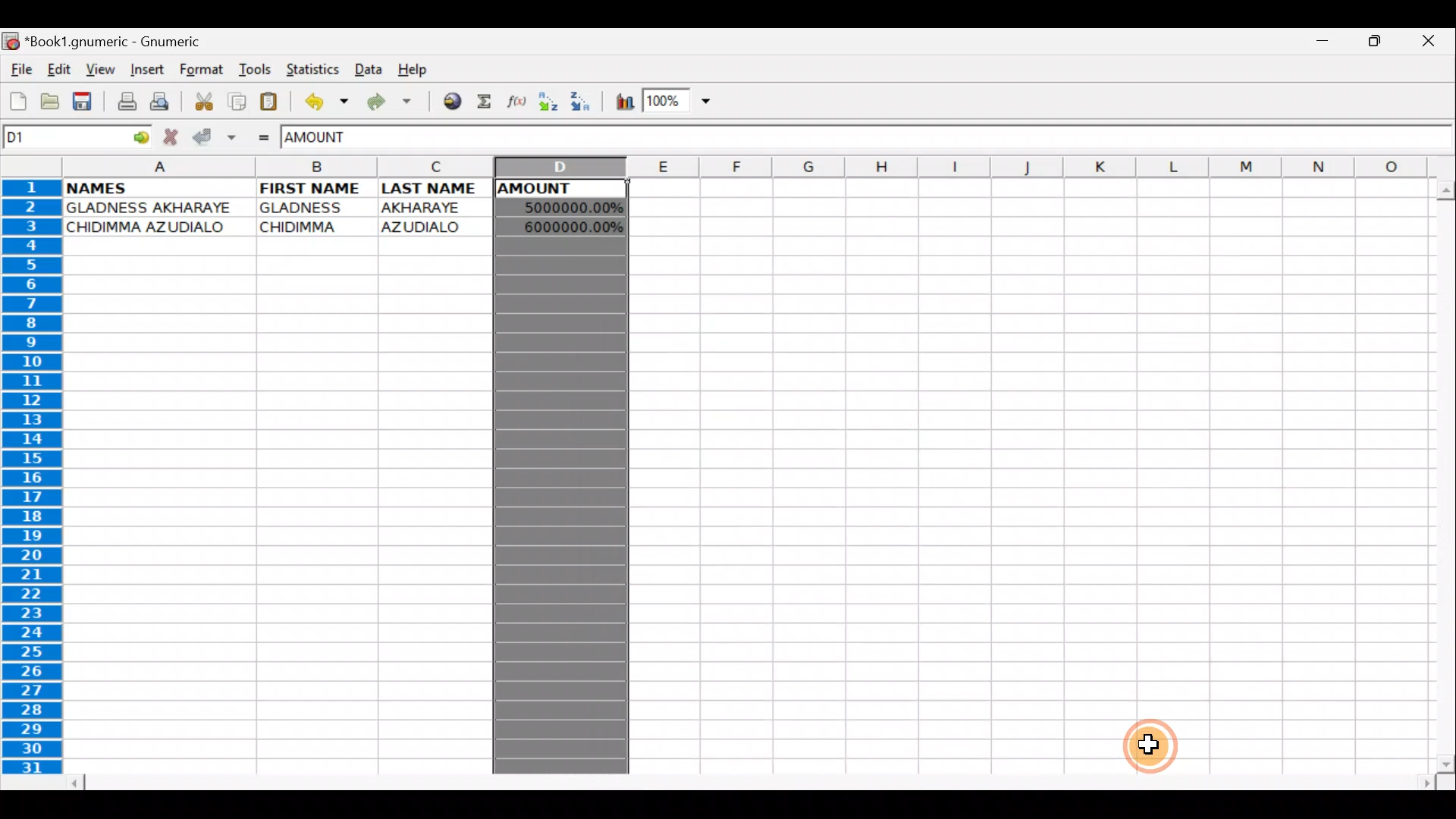 The height and width of the screenshot is (819, 1456). Describe the element at coordinates (545, 190) in the screenshot. I see `AMOUNT` at that location.